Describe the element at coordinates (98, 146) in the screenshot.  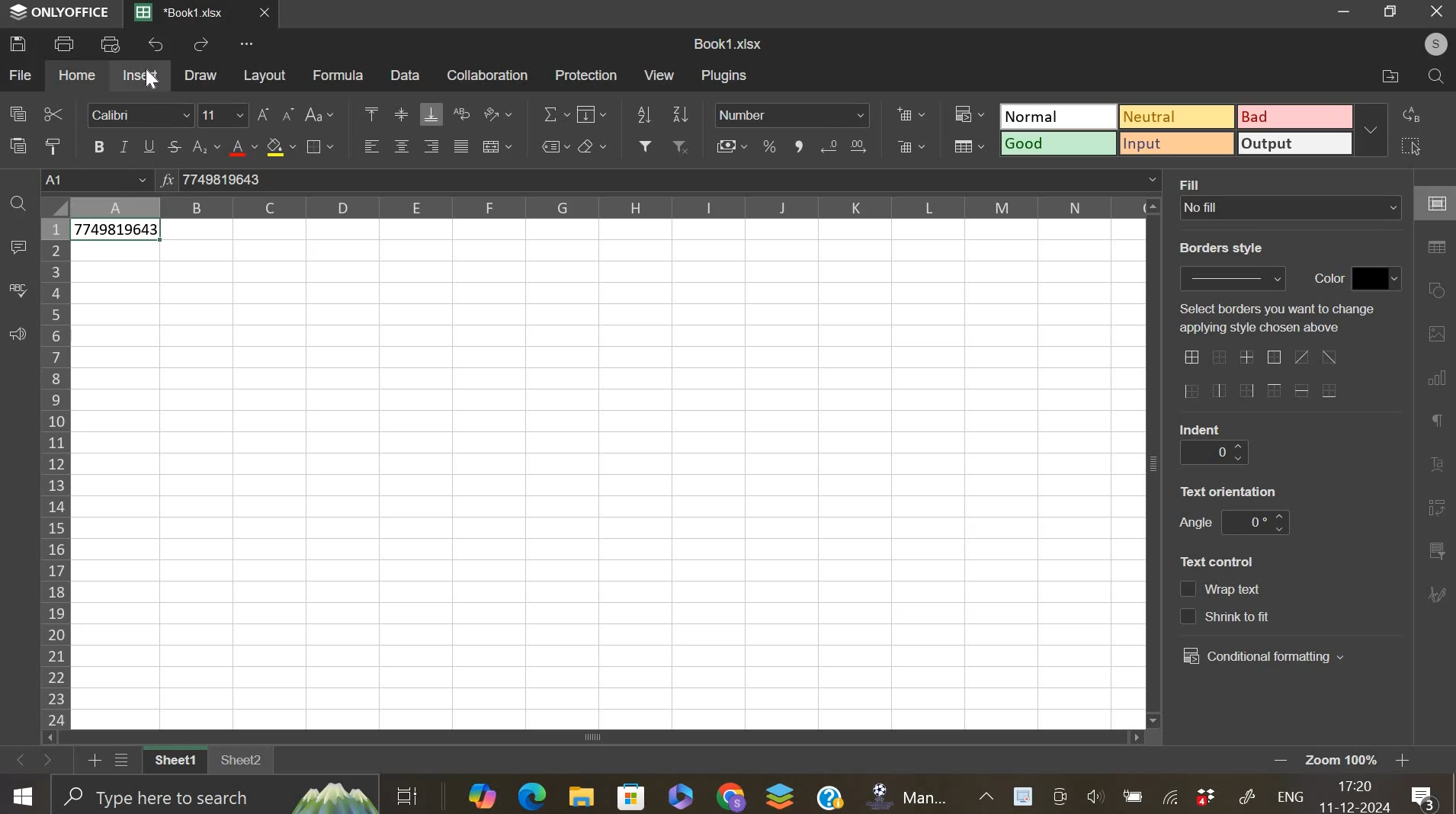
I see `bold` at that location.